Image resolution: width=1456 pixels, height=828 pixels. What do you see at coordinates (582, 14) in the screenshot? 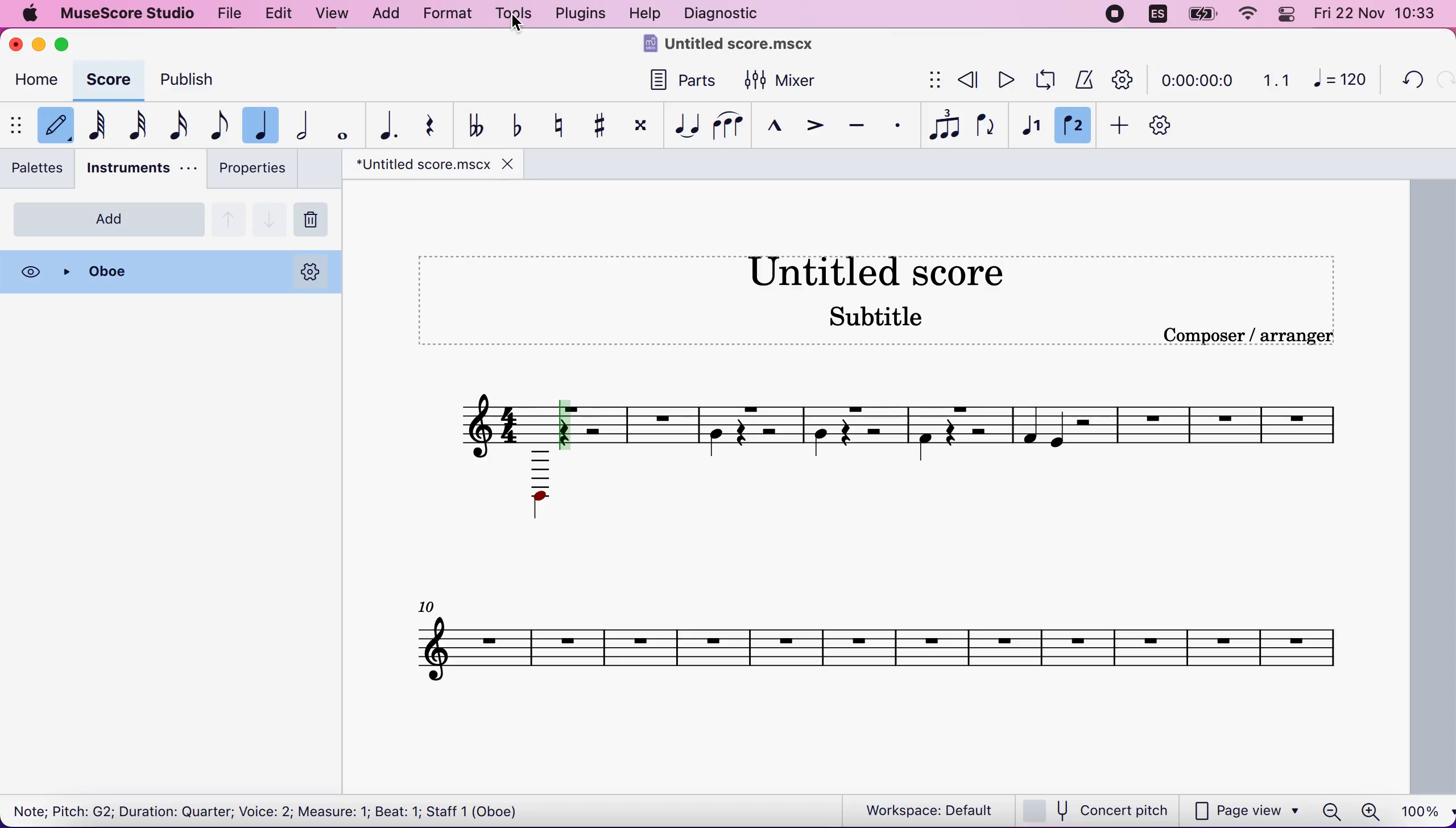
I see `plugins` at bounding box center [582, 14].